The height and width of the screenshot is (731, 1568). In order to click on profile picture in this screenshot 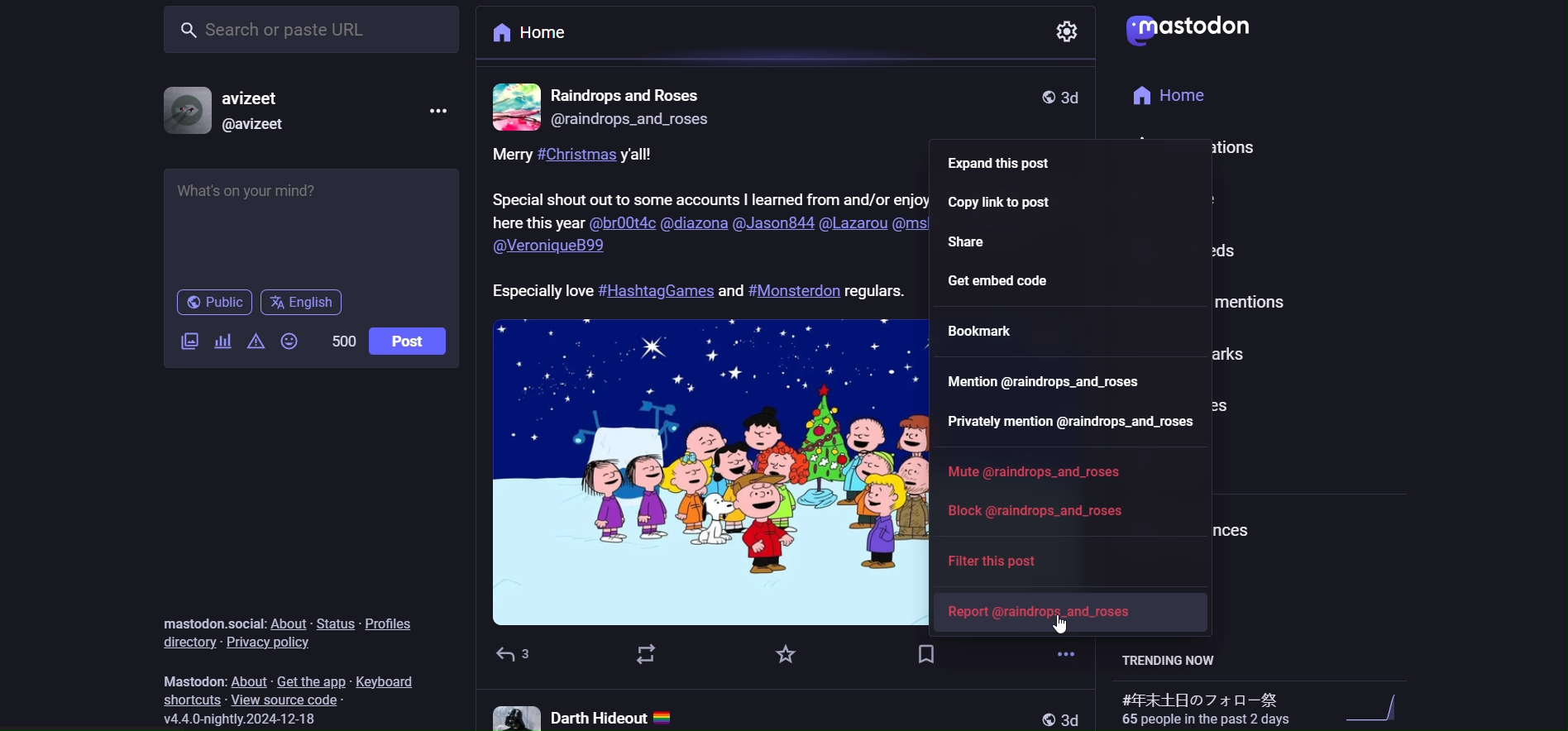, I will do `click(184, 112)`.